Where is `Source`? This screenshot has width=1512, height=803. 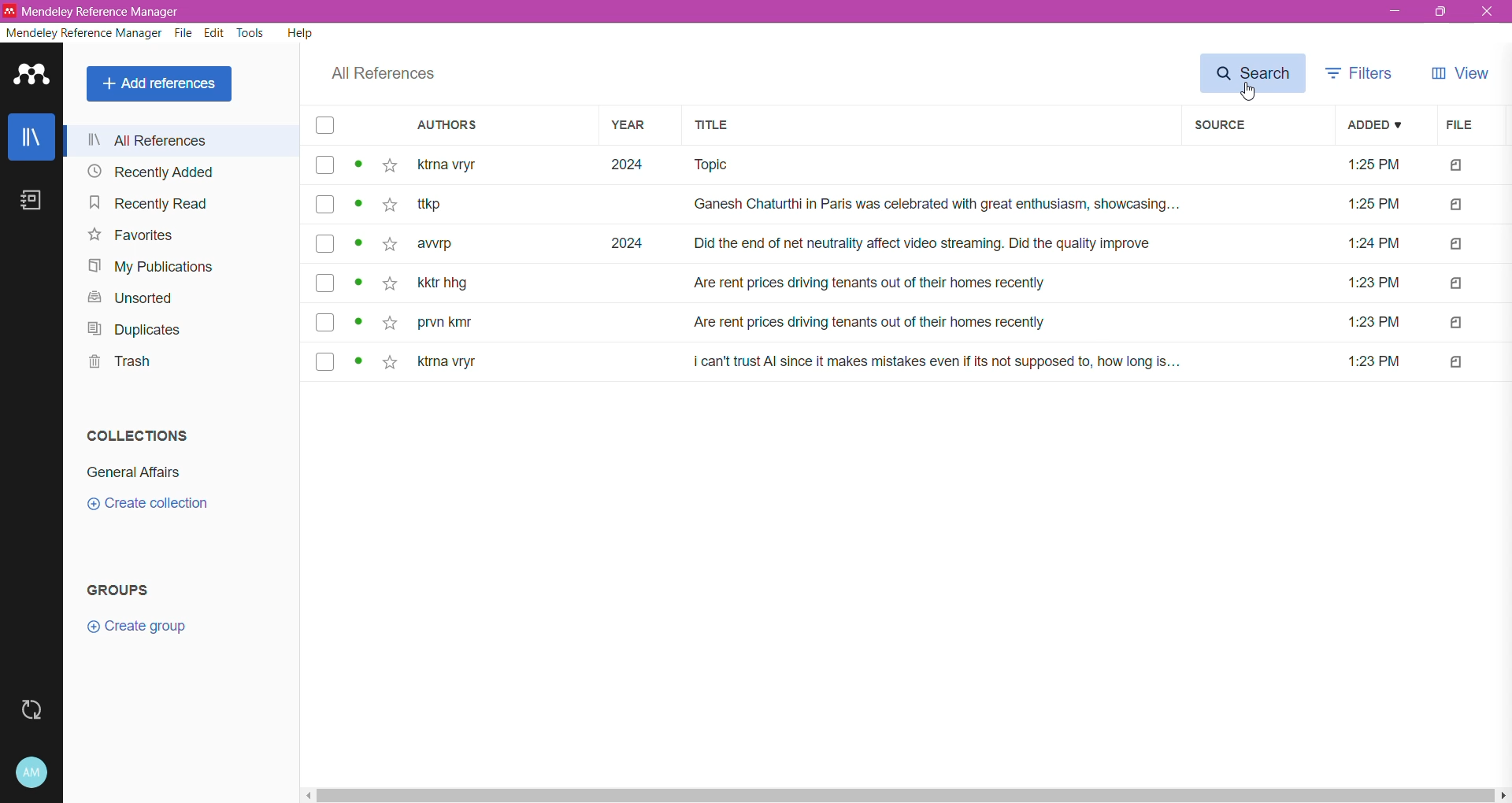
Source is located at coordinates (1254, 126).